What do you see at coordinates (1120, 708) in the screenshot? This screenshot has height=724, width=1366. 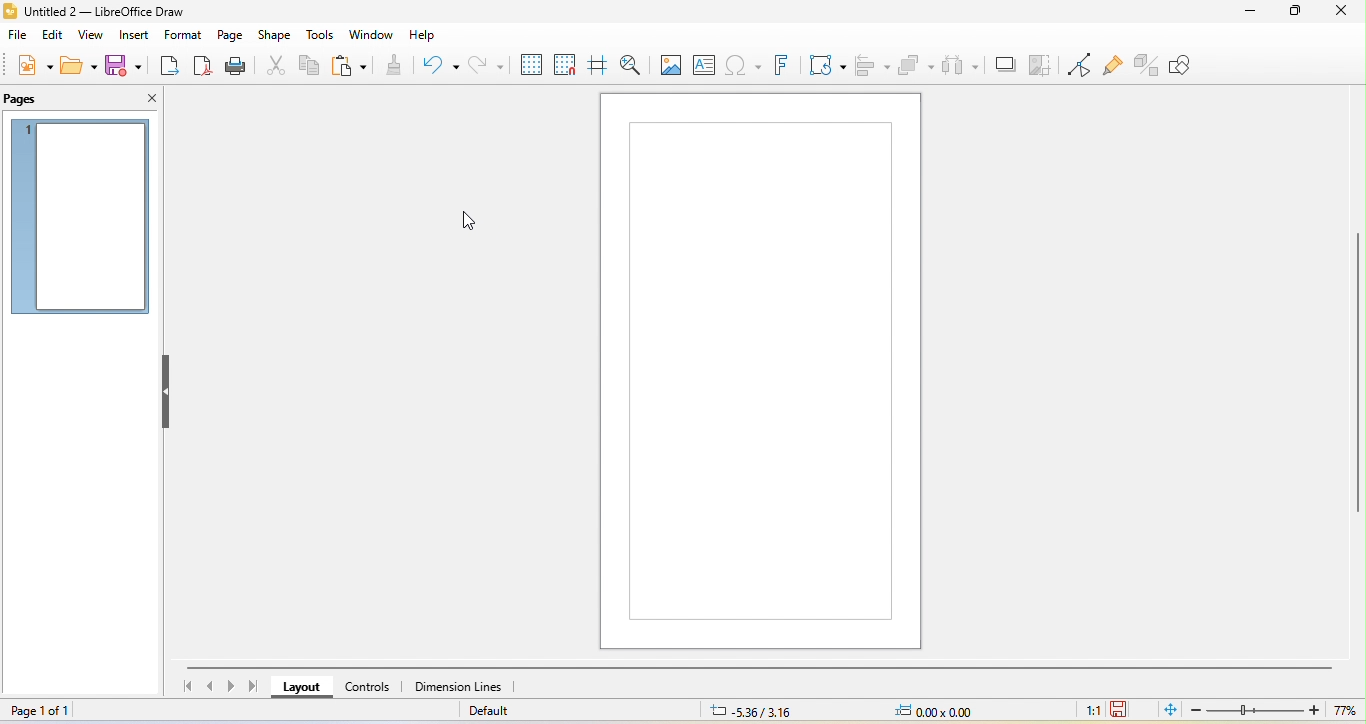 I see `click to save the document` at bounding box center [1120, 708].